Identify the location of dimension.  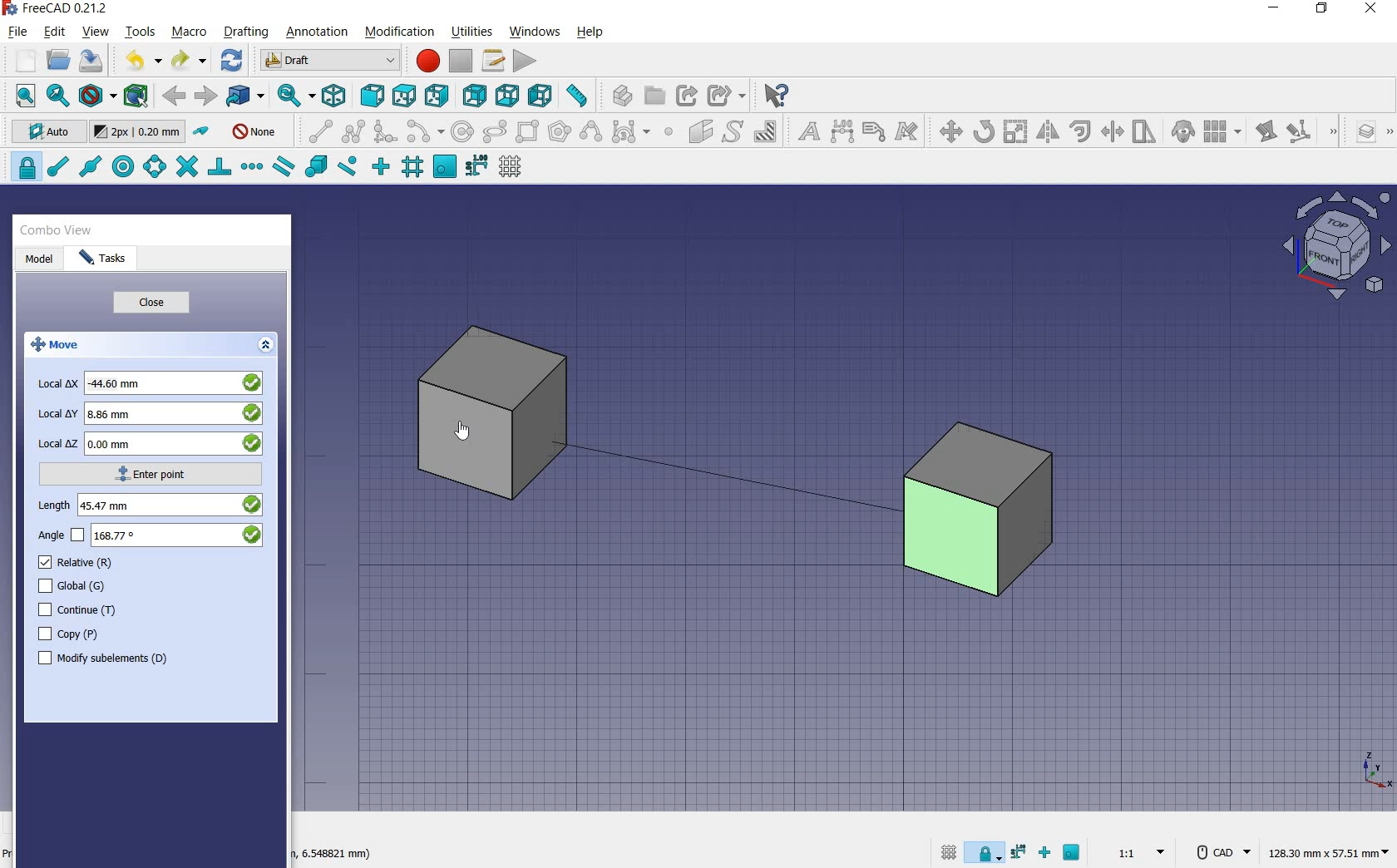
(1328, 851).